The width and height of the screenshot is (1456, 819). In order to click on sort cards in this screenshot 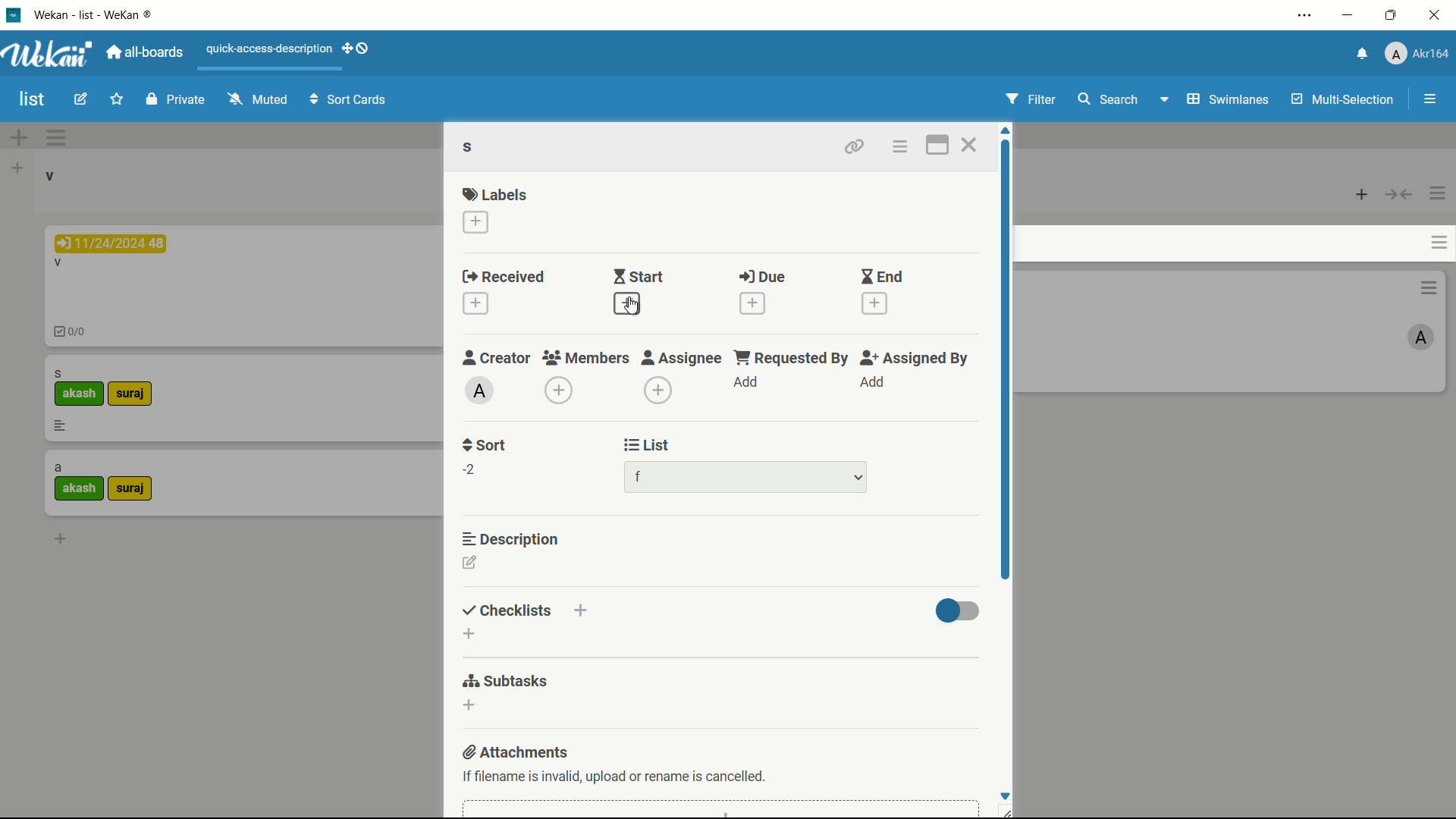, I will do `click(350, 101)`.